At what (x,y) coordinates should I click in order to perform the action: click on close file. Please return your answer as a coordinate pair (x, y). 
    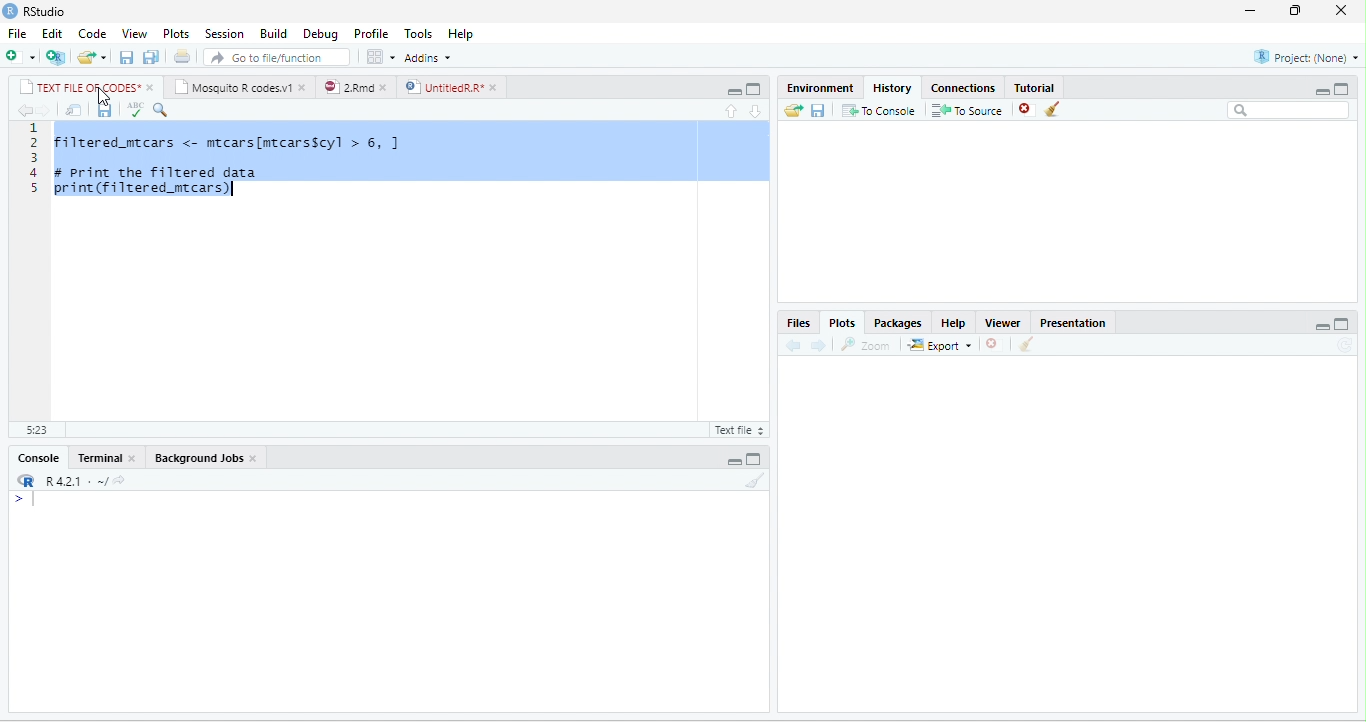
    Looking at the image, I should click on (994, 344).